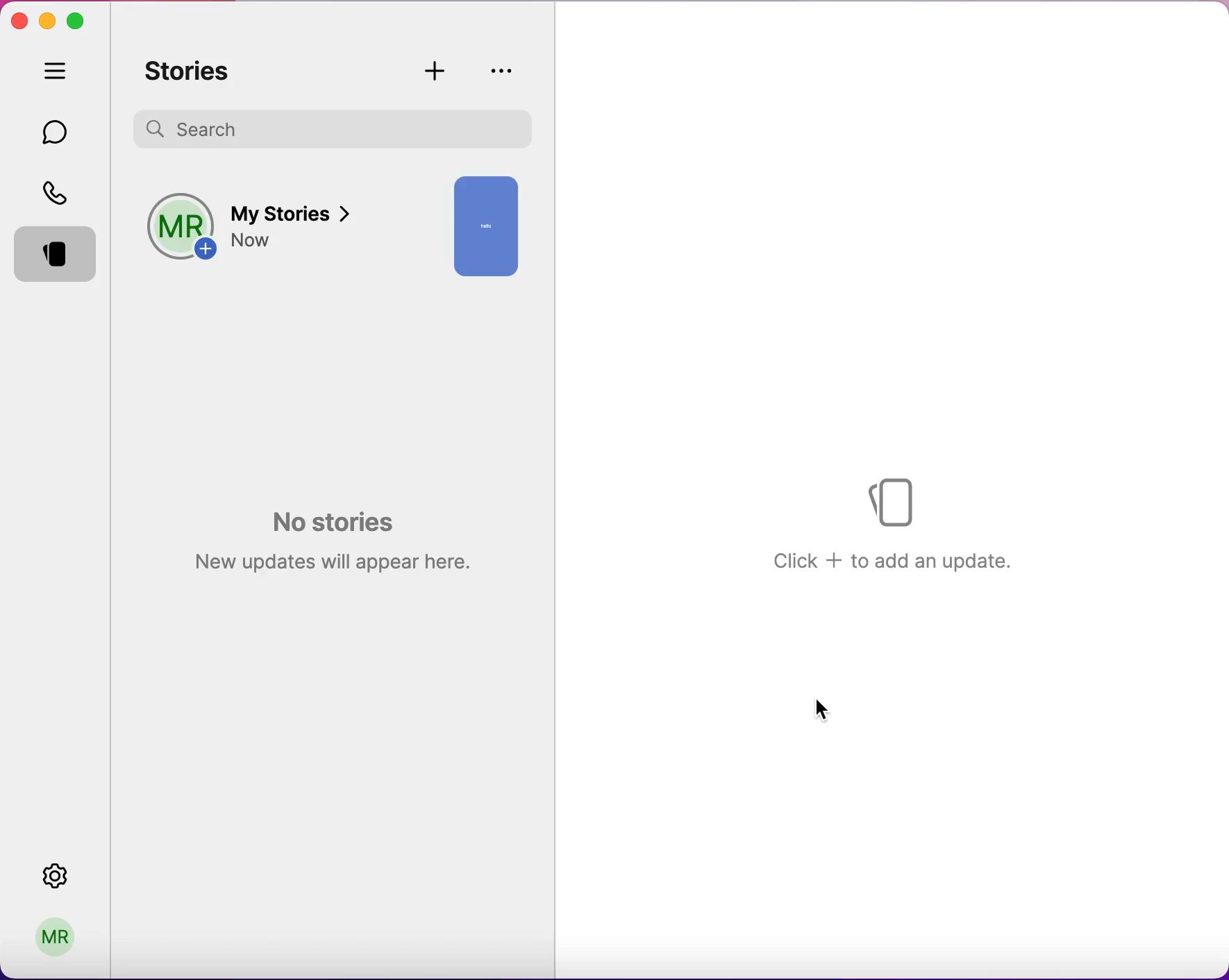  What do you see at coordinates (278, 239) in the screenshot?
I see `add a story` at bounding box center [278, 239].